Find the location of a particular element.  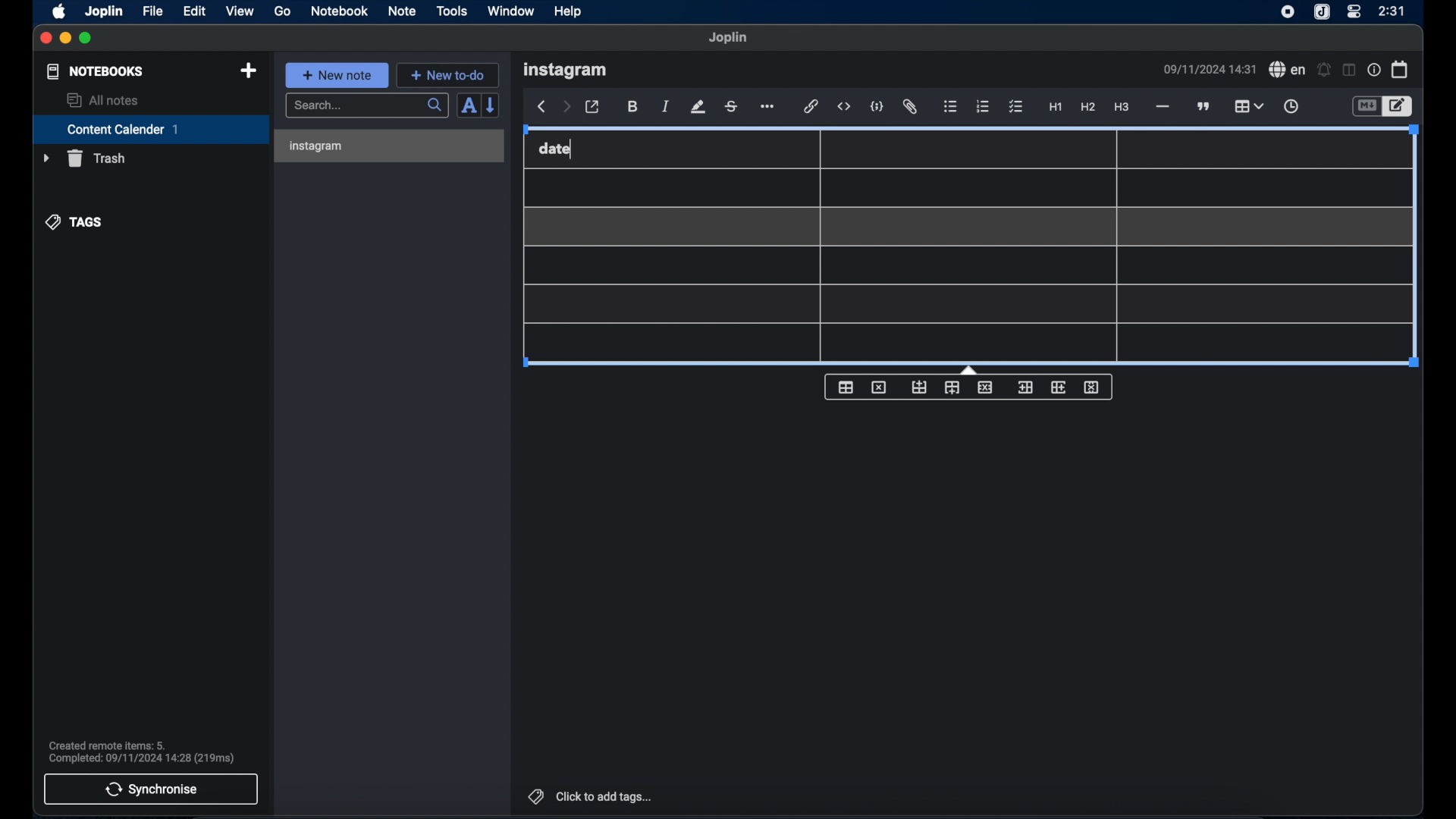

bulleted  list is located at coordinates (951, 105).